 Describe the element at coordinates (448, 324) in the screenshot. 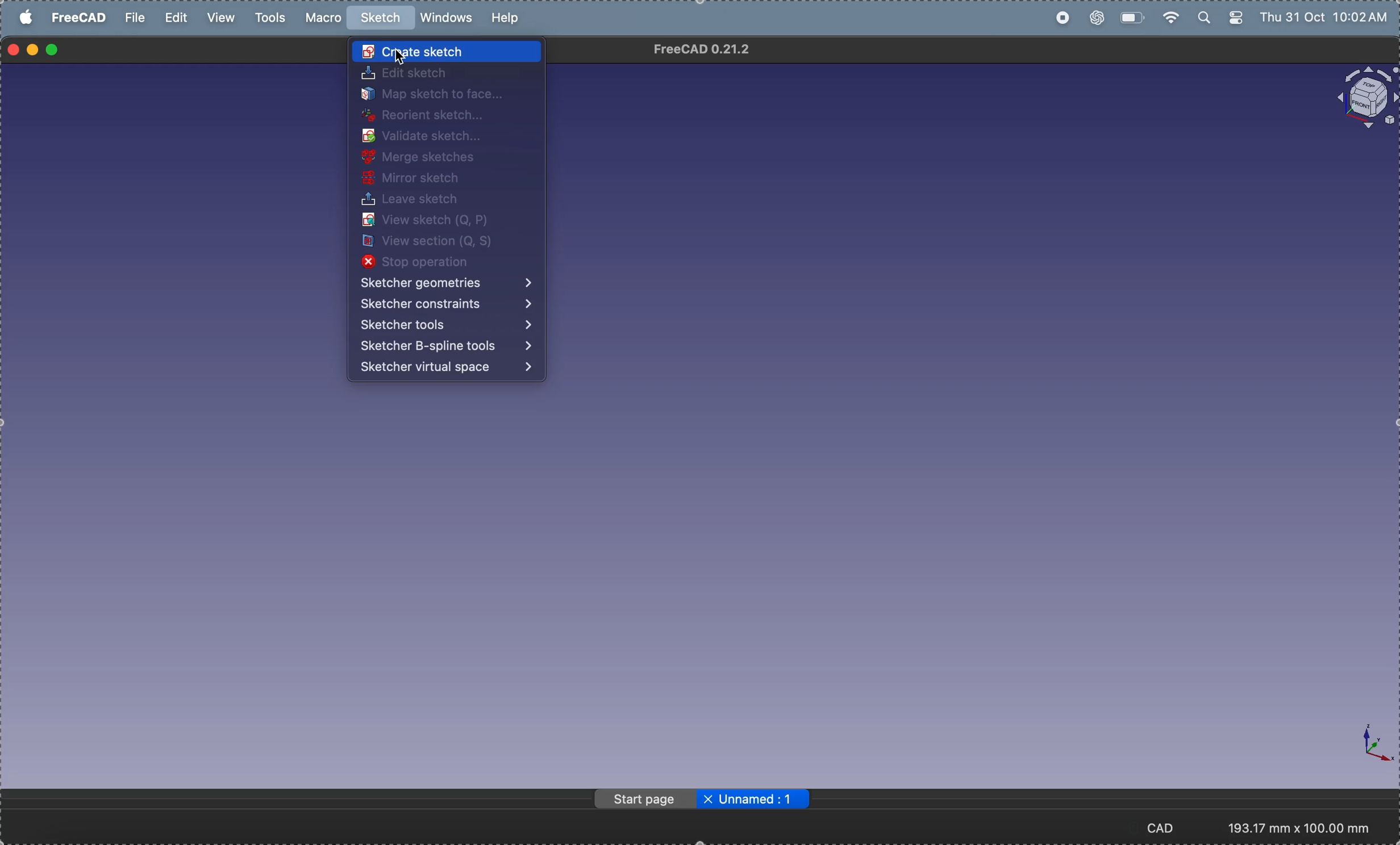

I see `sketcher tools` at that location.